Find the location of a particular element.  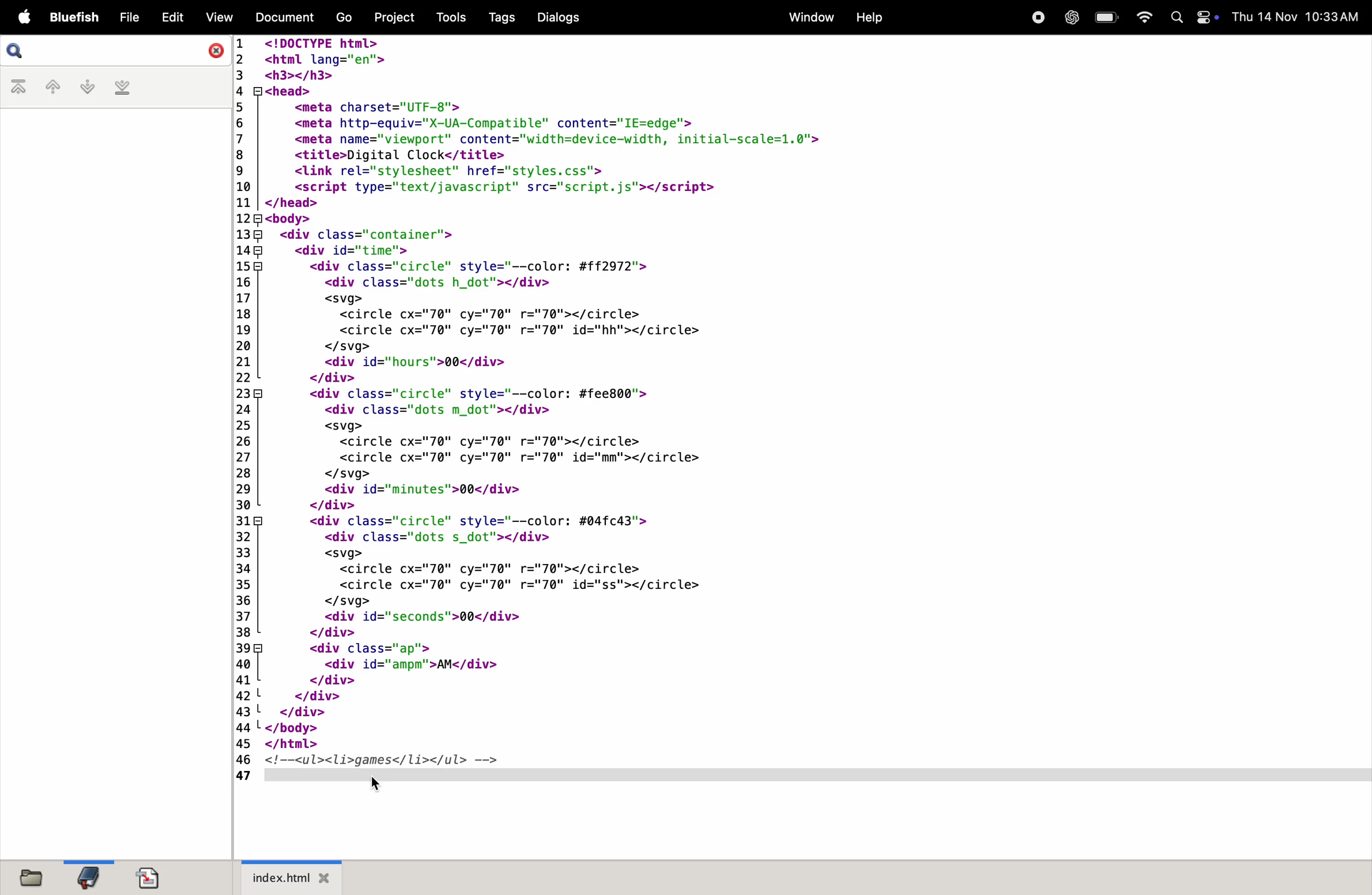

project is located at coordinates (393, 18).